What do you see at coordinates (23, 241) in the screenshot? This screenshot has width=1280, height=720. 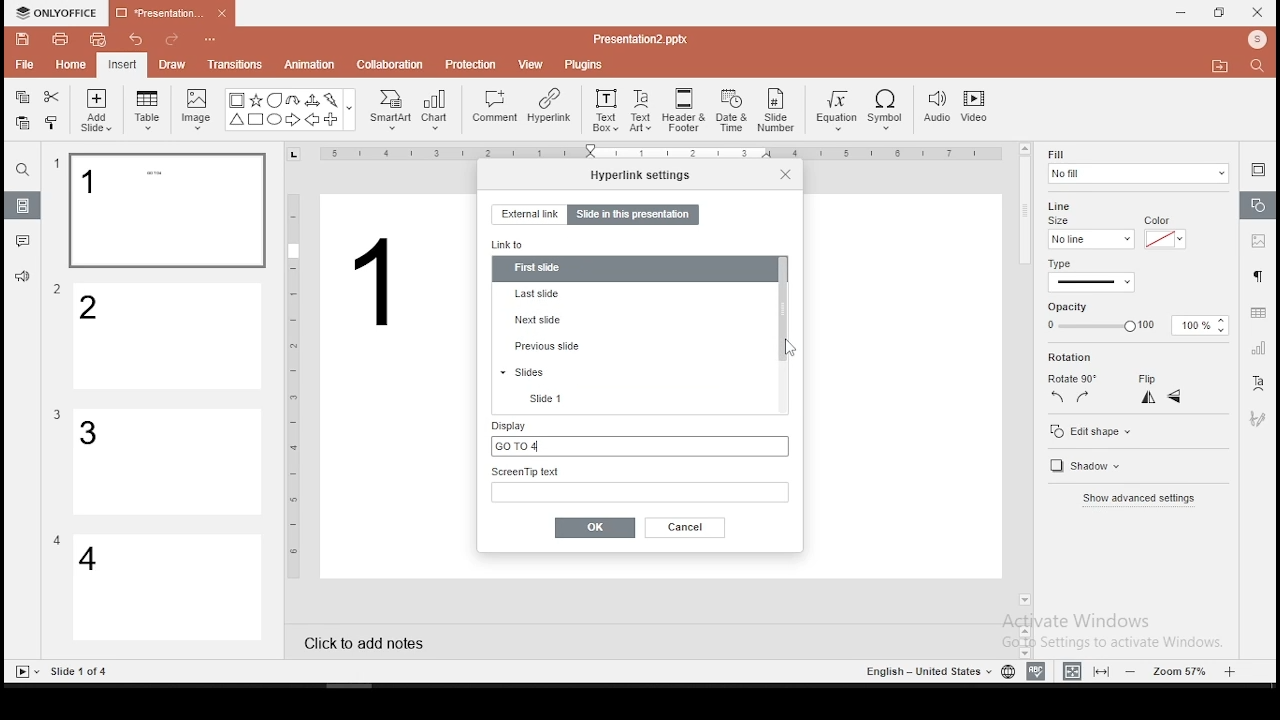 I see `comments` at bounding box center [23, 241].